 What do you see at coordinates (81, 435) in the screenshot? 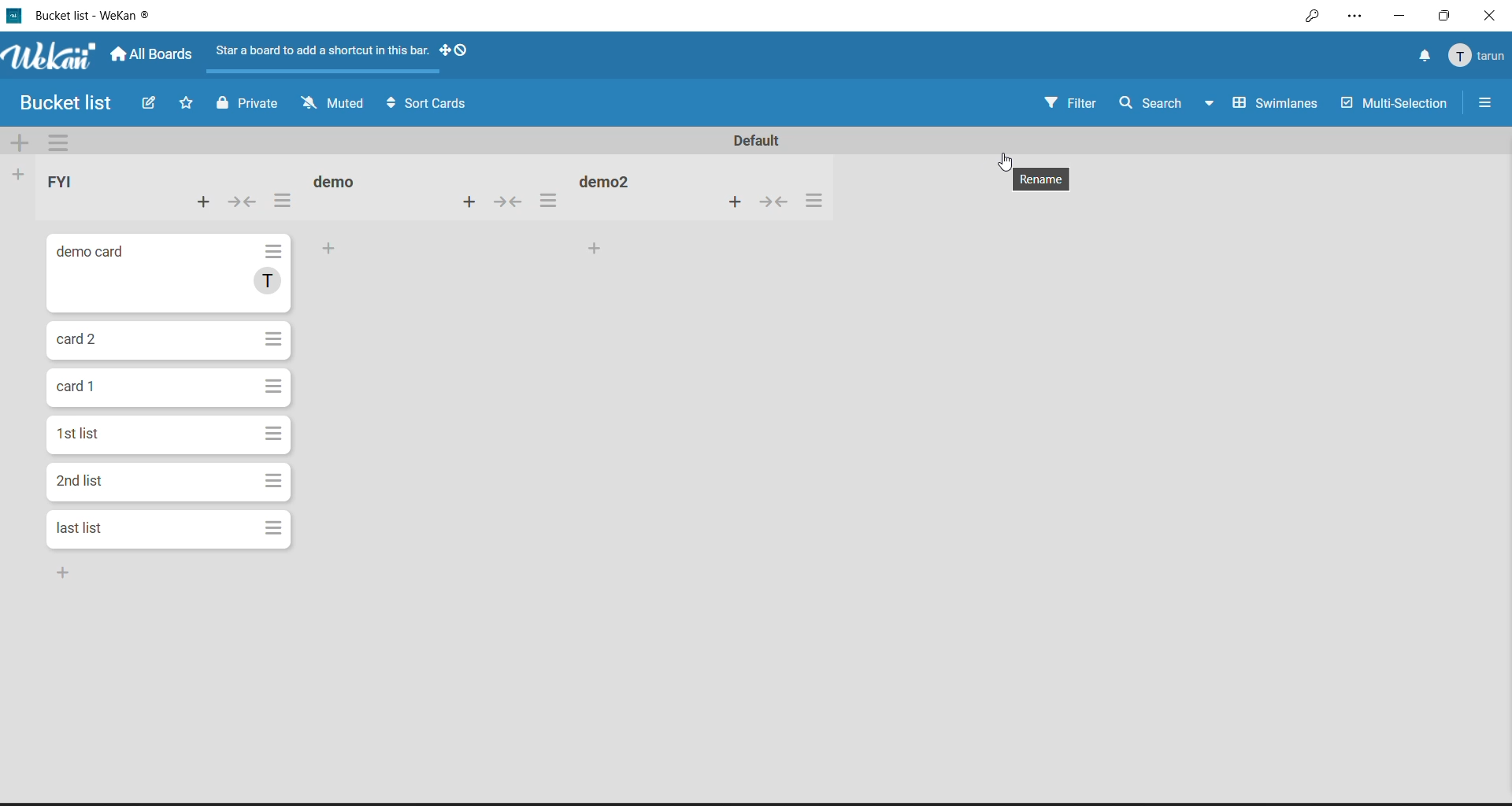
I see `card title` at bounding box center [81, 435].